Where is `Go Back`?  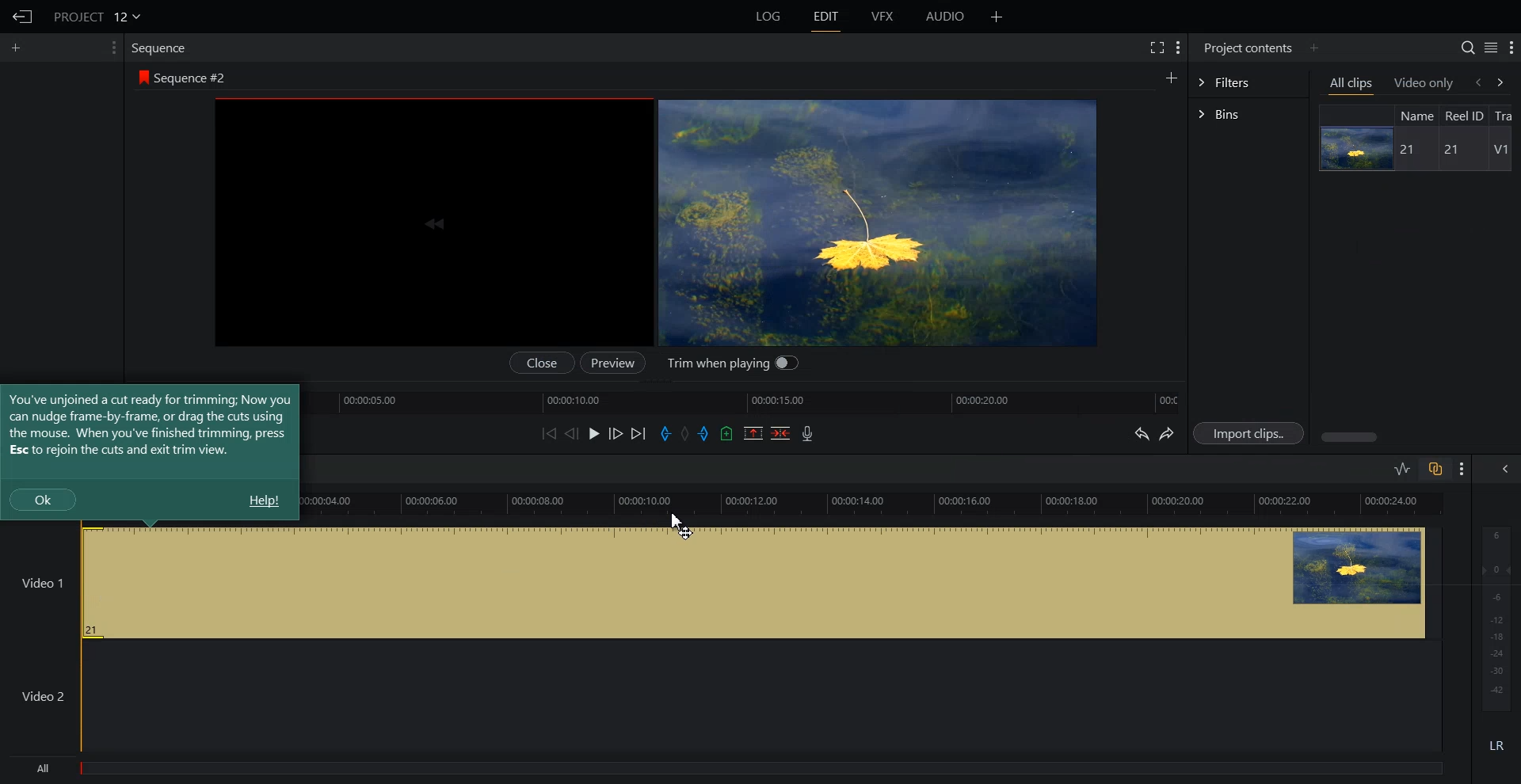
Go Back is located at coordinates (21, 17).